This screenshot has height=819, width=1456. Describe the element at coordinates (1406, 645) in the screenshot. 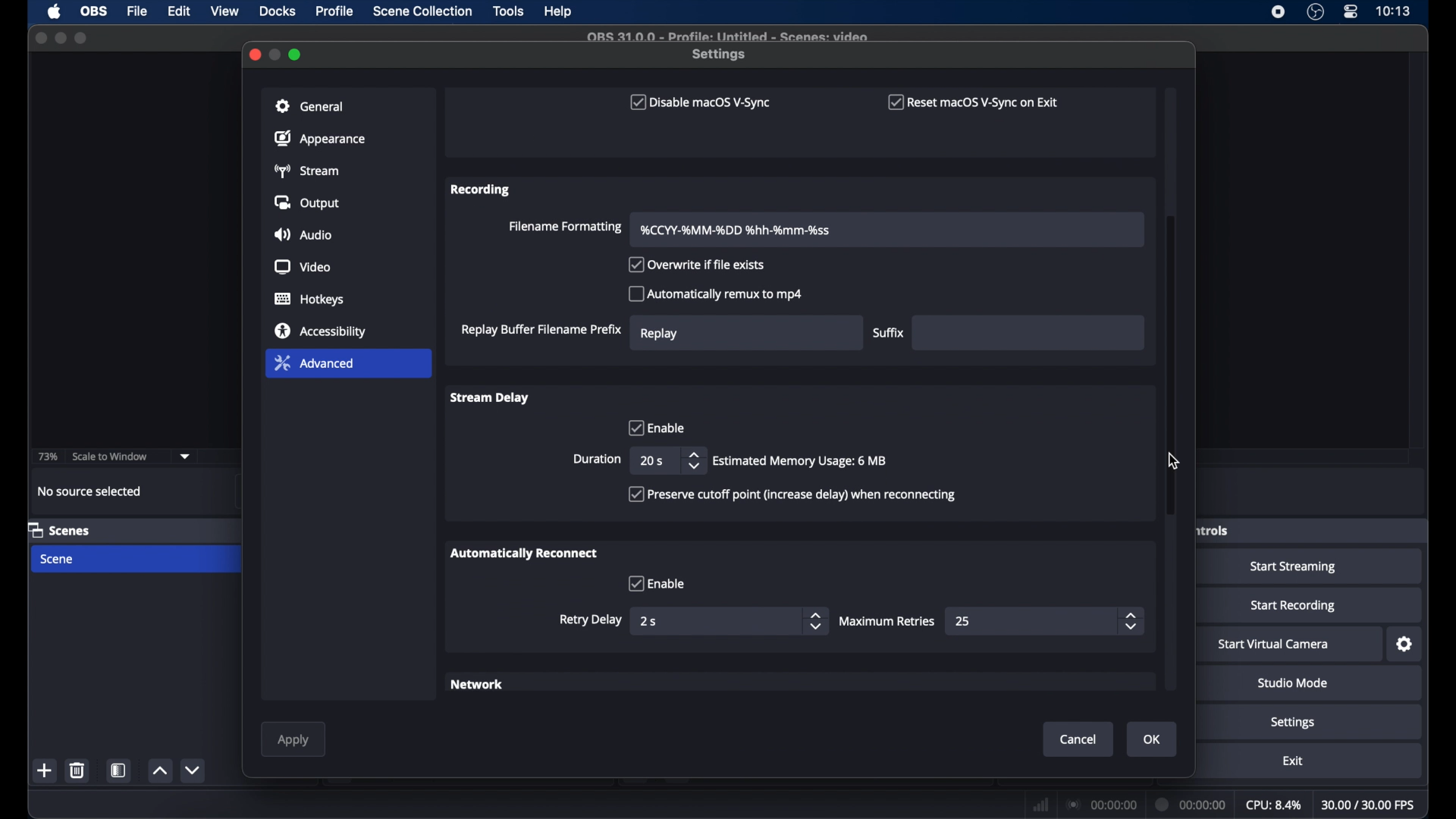

I see `settings` at that location.